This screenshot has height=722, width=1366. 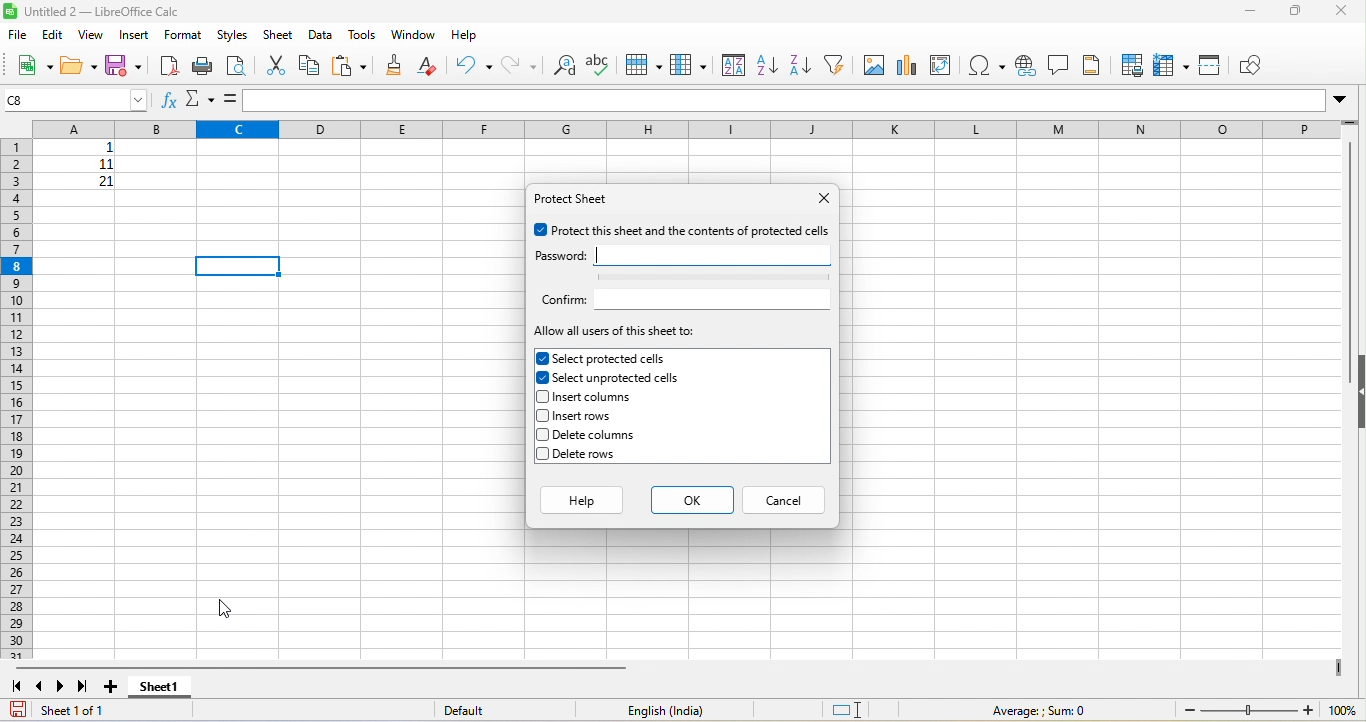 I want to click on chart, so click(x=907, y=65).